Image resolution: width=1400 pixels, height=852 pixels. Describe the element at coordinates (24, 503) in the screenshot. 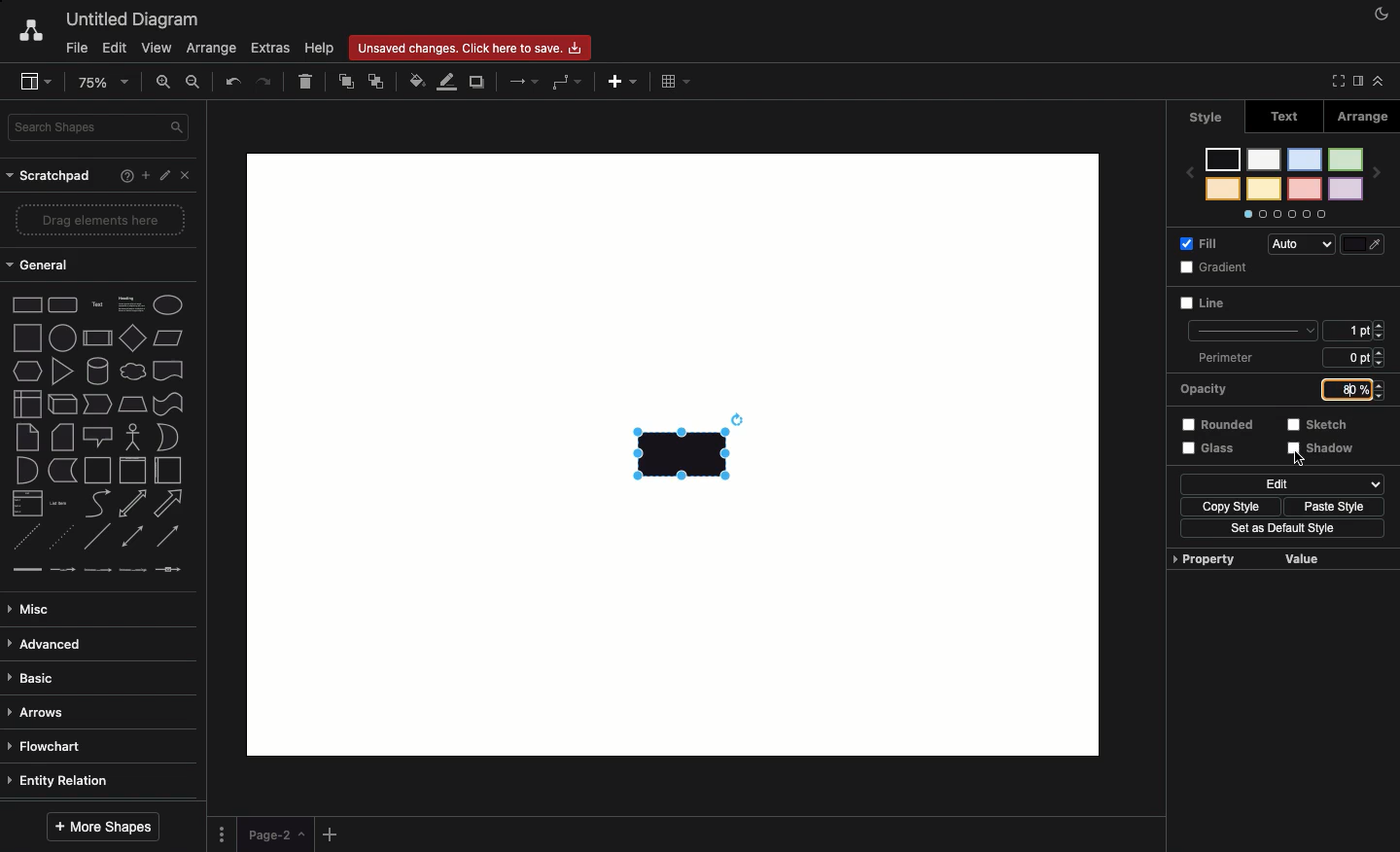

I see `list` at that location.